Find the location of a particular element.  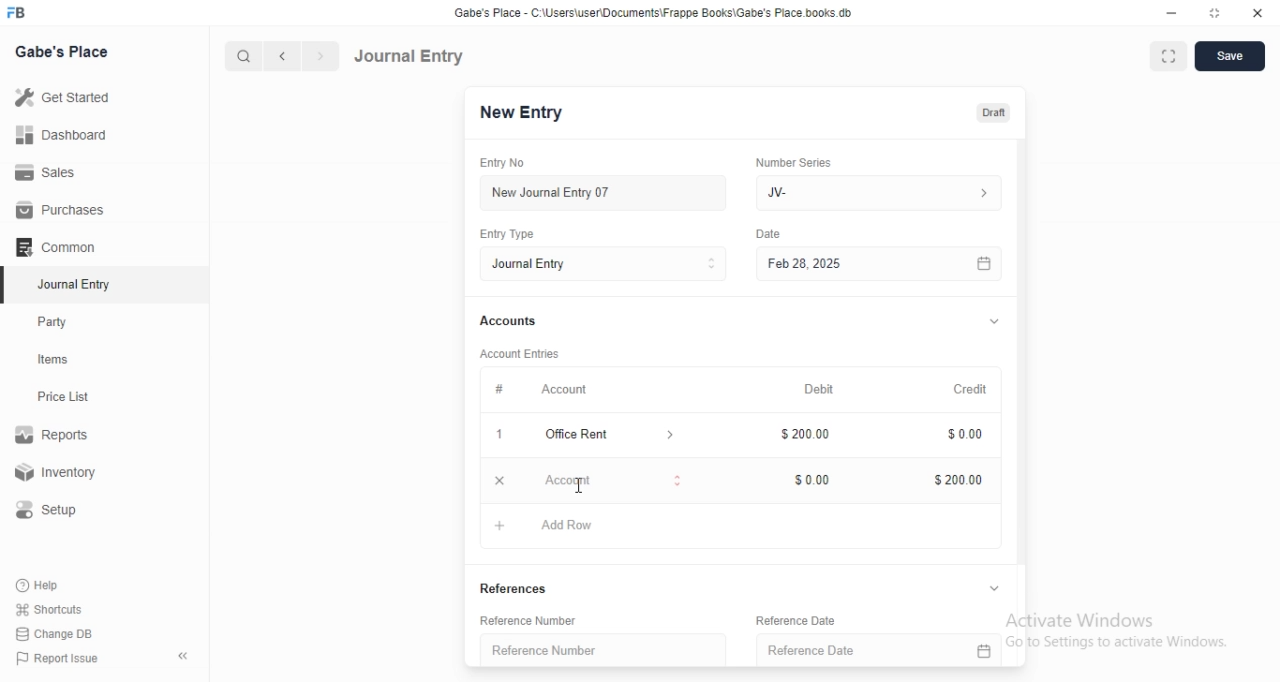

 is located at coordinates (806, 481).